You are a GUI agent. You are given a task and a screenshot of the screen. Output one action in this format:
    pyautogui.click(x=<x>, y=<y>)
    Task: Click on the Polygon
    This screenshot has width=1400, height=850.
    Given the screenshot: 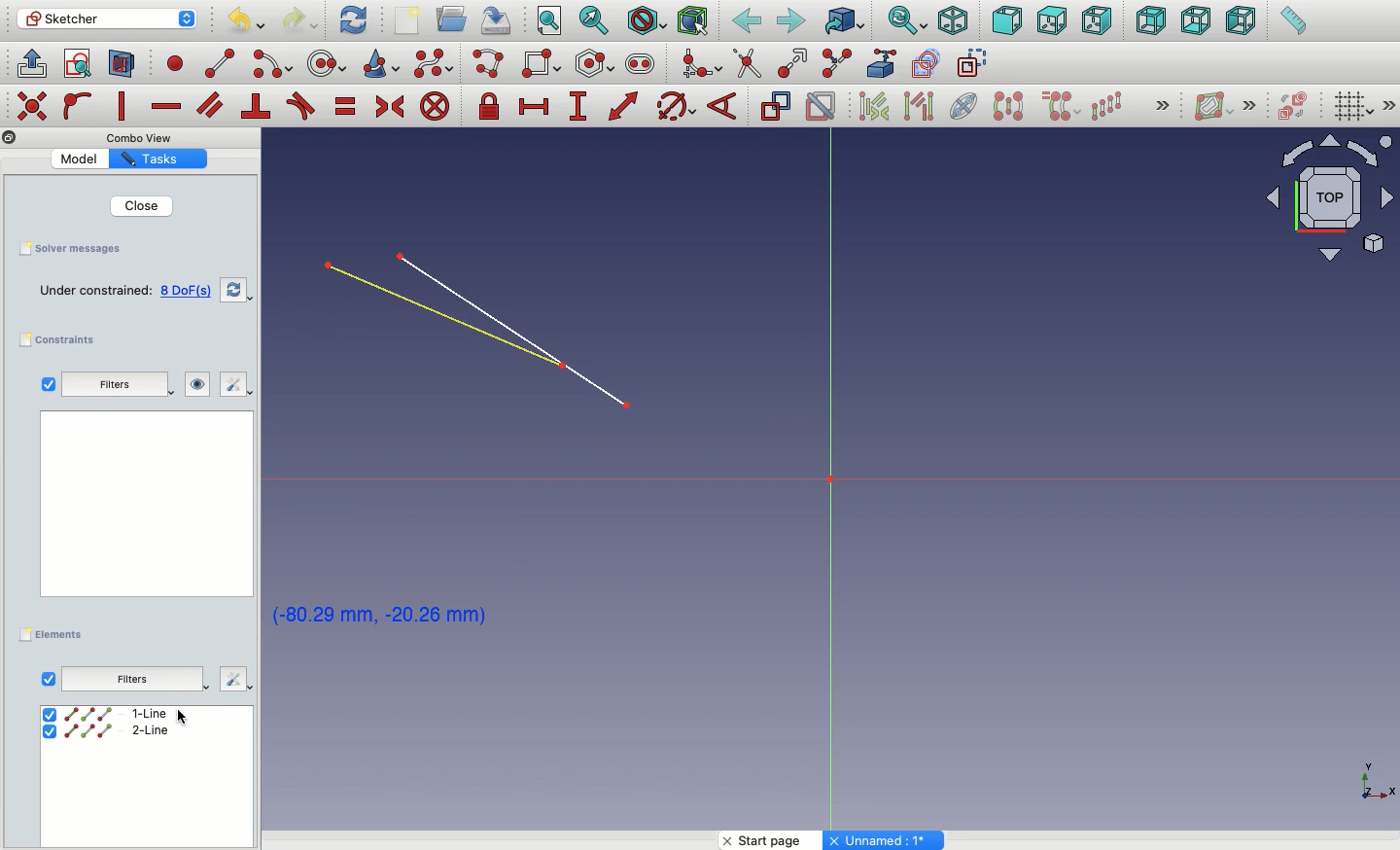 What is the action you would take?
    pyautogui.click(x=596, y=64)
    